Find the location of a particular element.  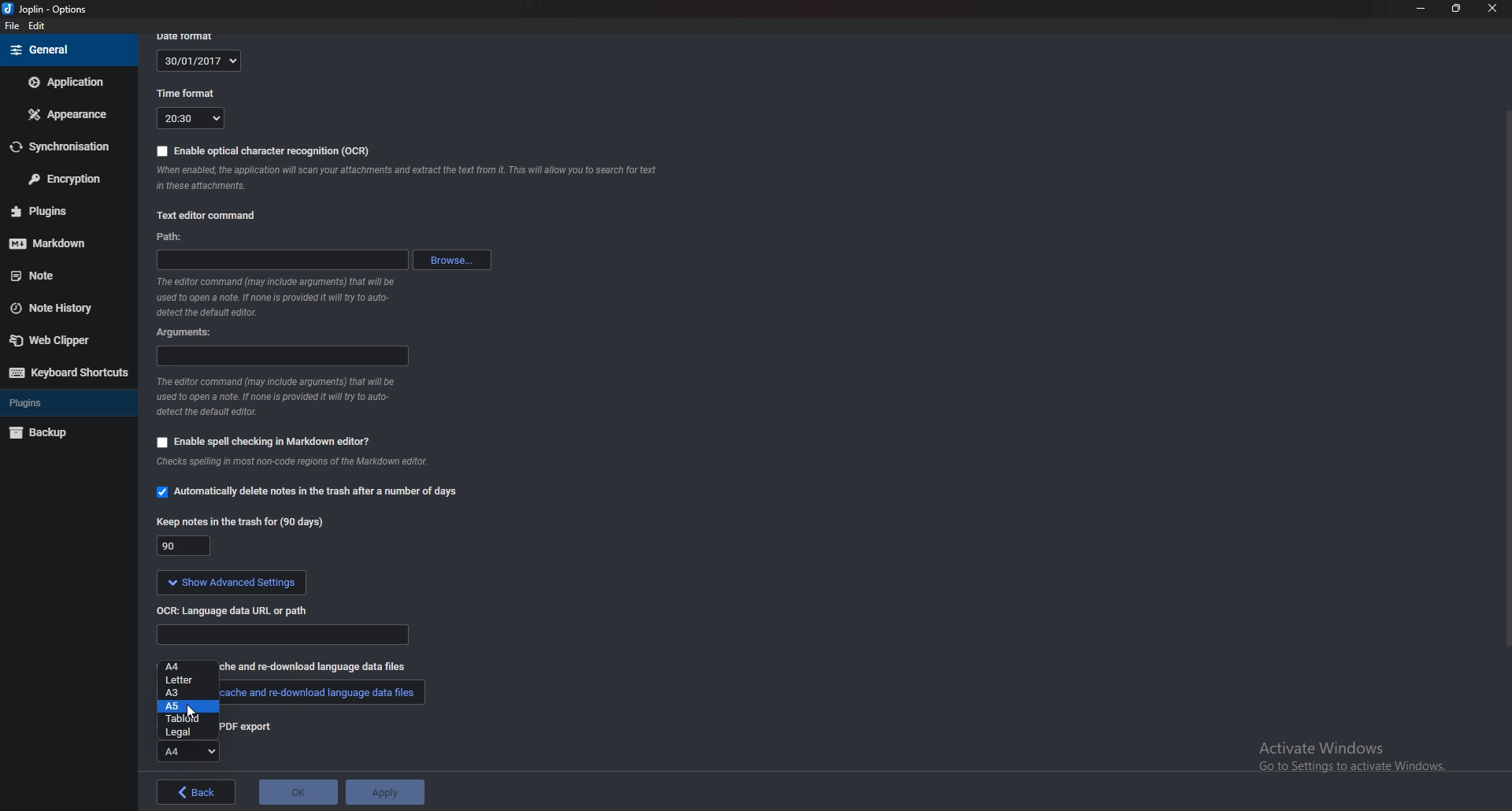

automatically delete notes is located at coordinates (315, 494).